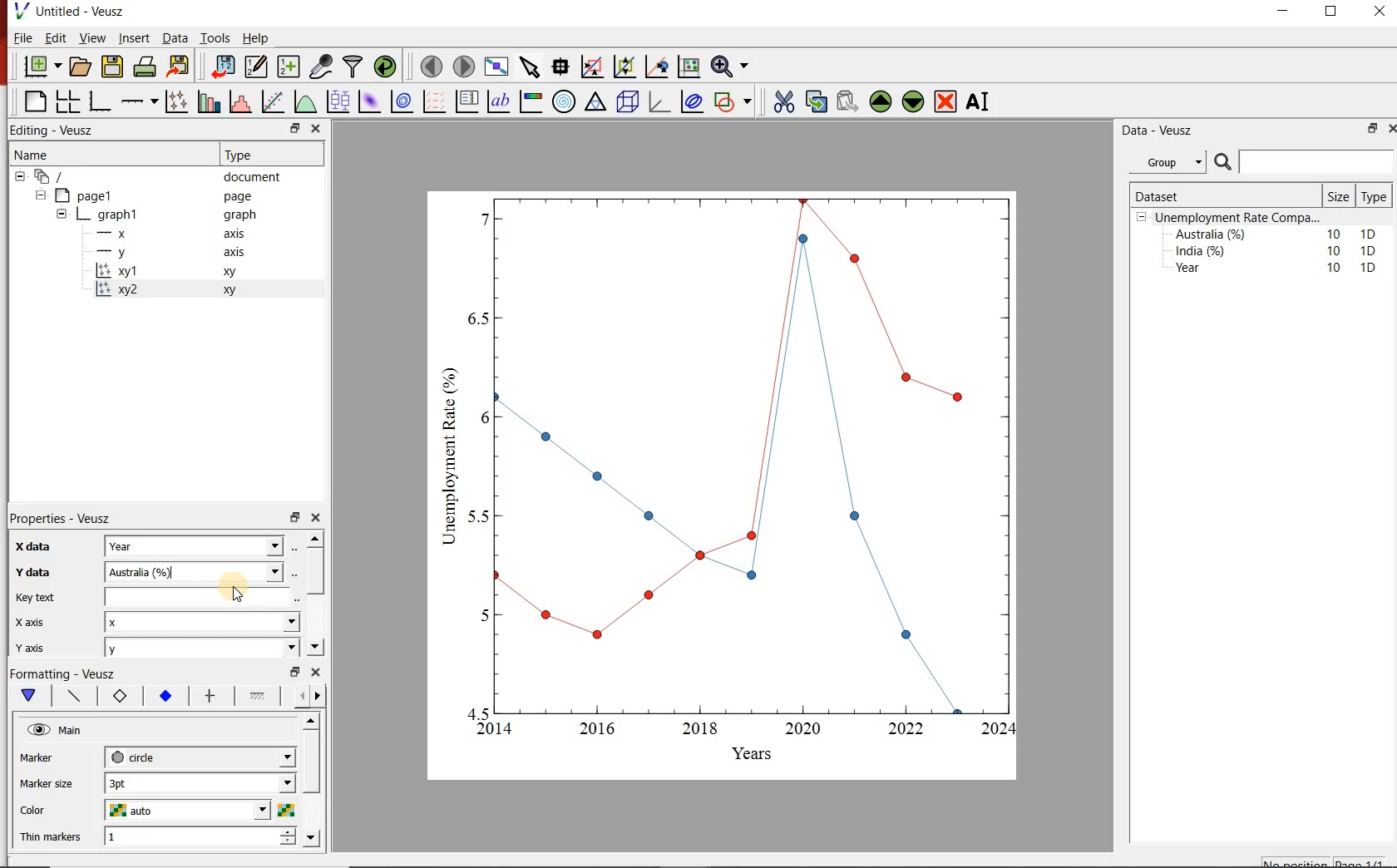 The image size is (1397, 868). Describe the element at coordinates (784, 101) in the screenshot. I see `cut the widgets` at that location.